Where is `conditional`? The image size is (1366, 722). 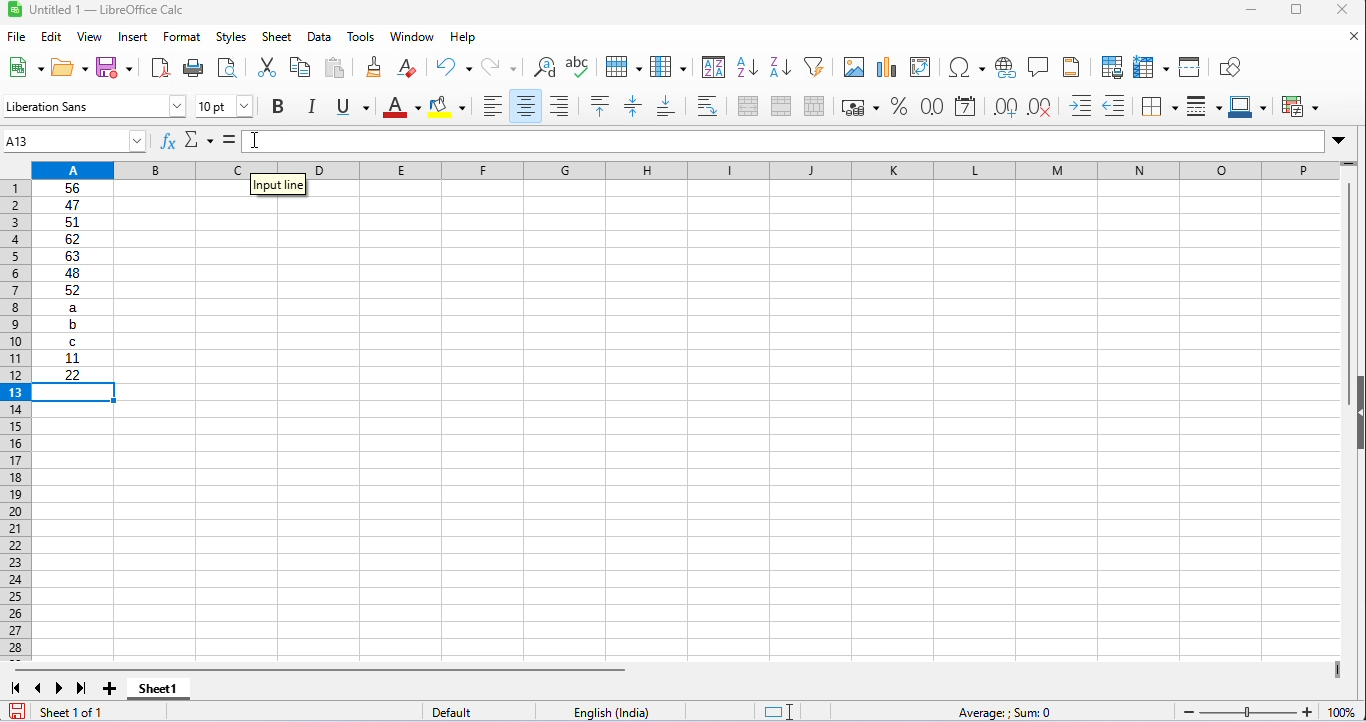 conditional is located at coordinates (1299, 105).